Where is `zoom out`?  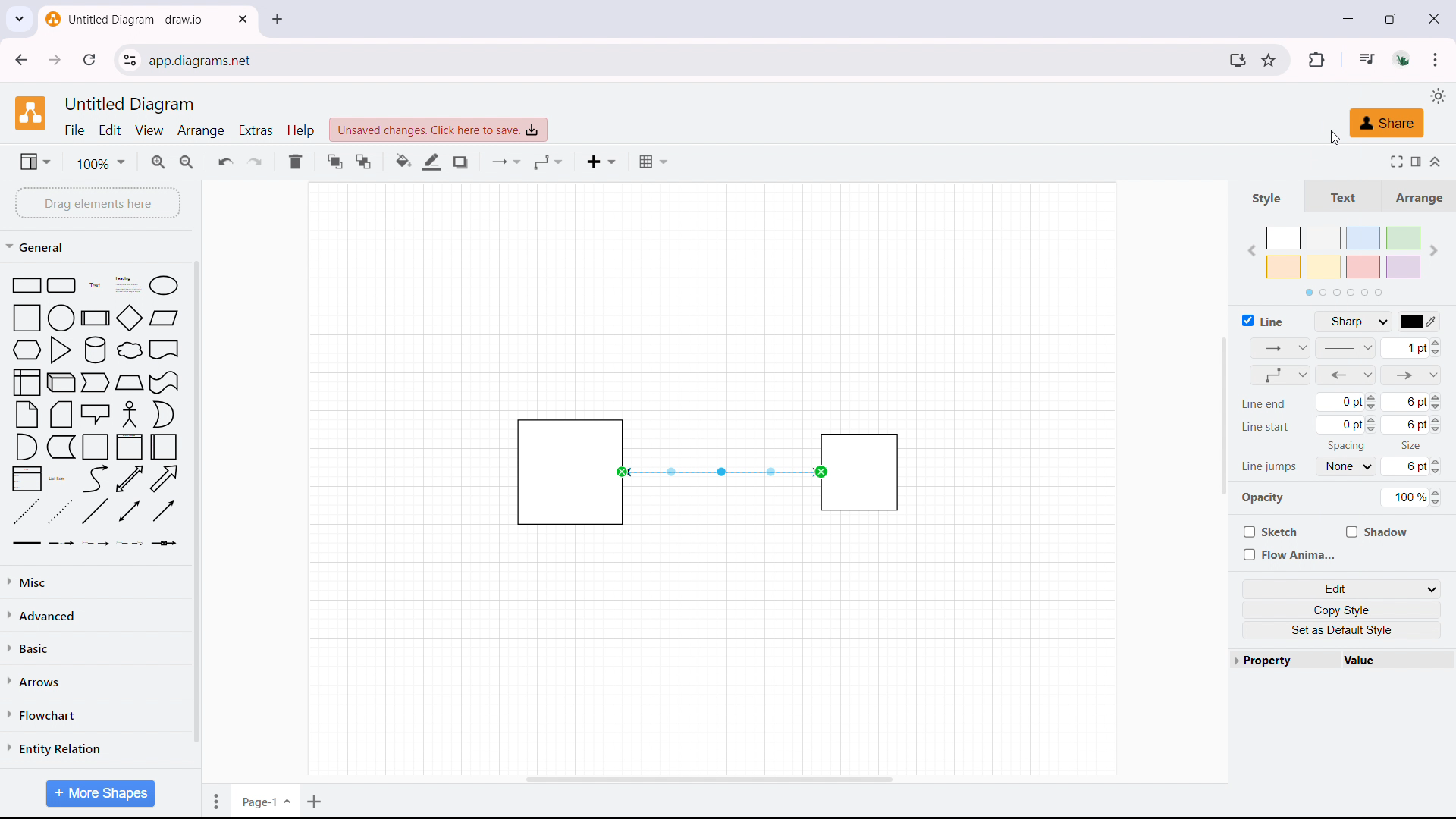 zoom out is located at coordinates (188, 160).